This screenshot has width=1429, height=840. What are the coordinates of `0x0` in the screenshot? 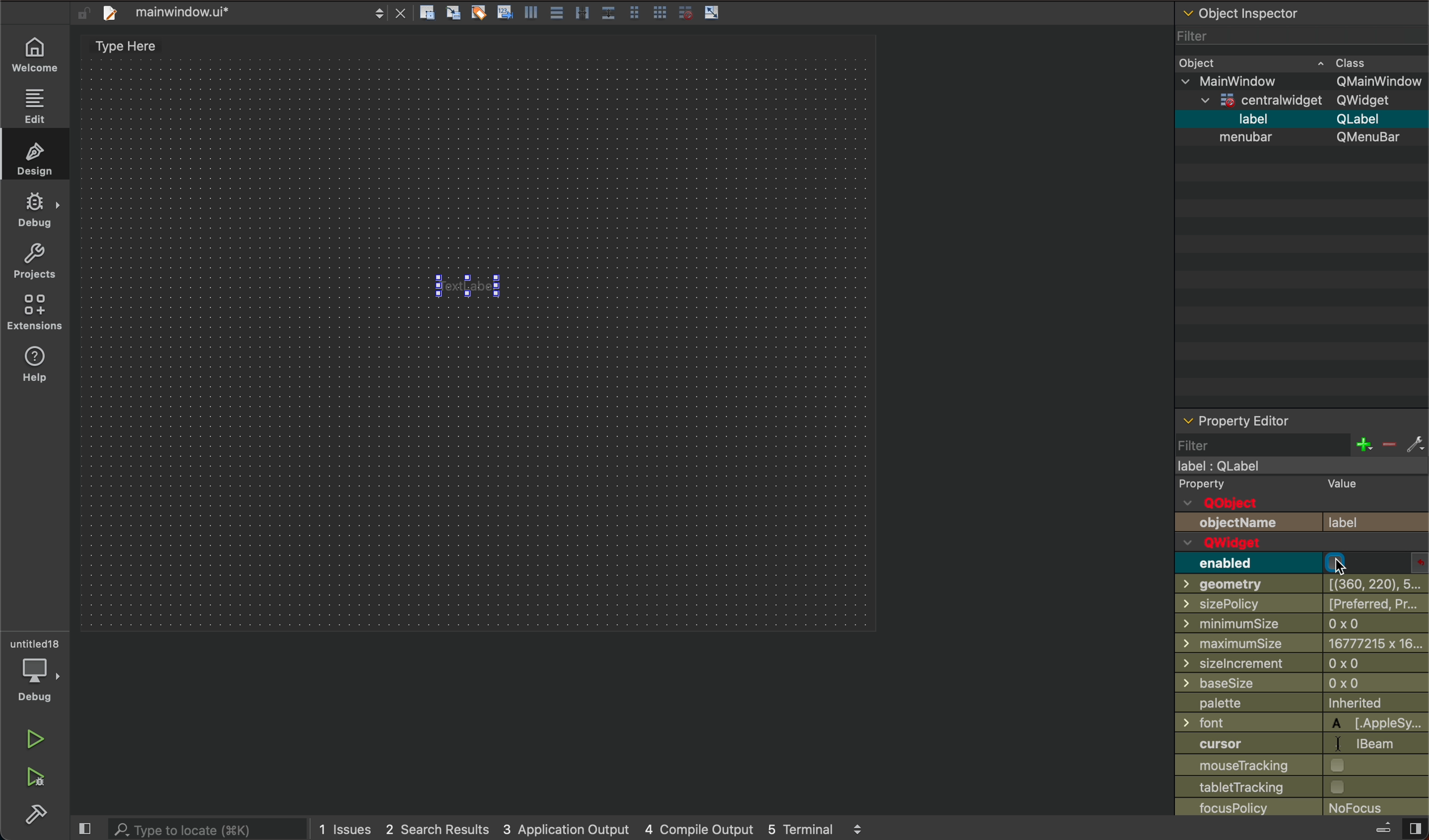 It's located at (1365, 684).